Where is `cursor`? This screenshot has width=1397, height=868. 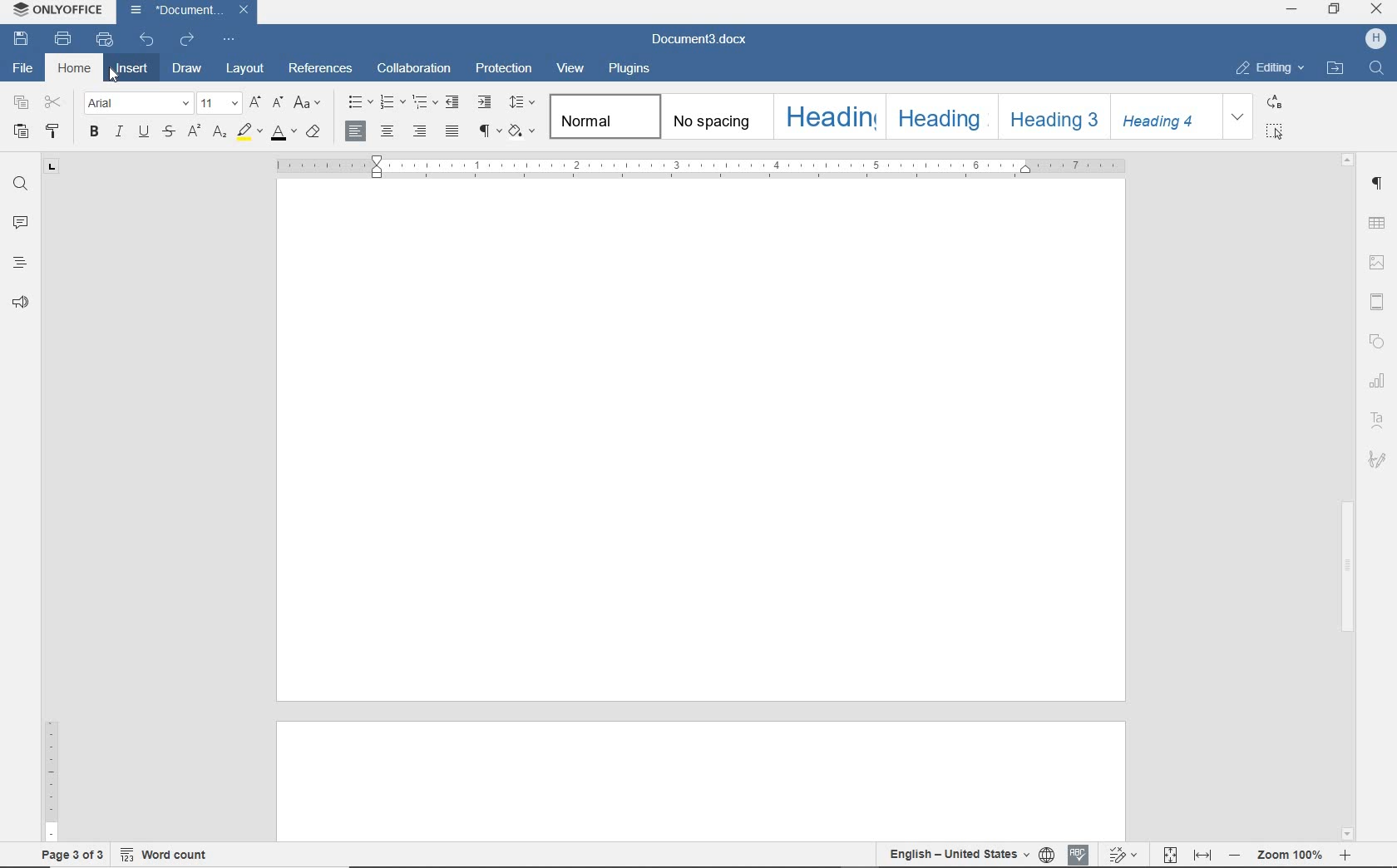 cursor is located at coordinates (120, 76).